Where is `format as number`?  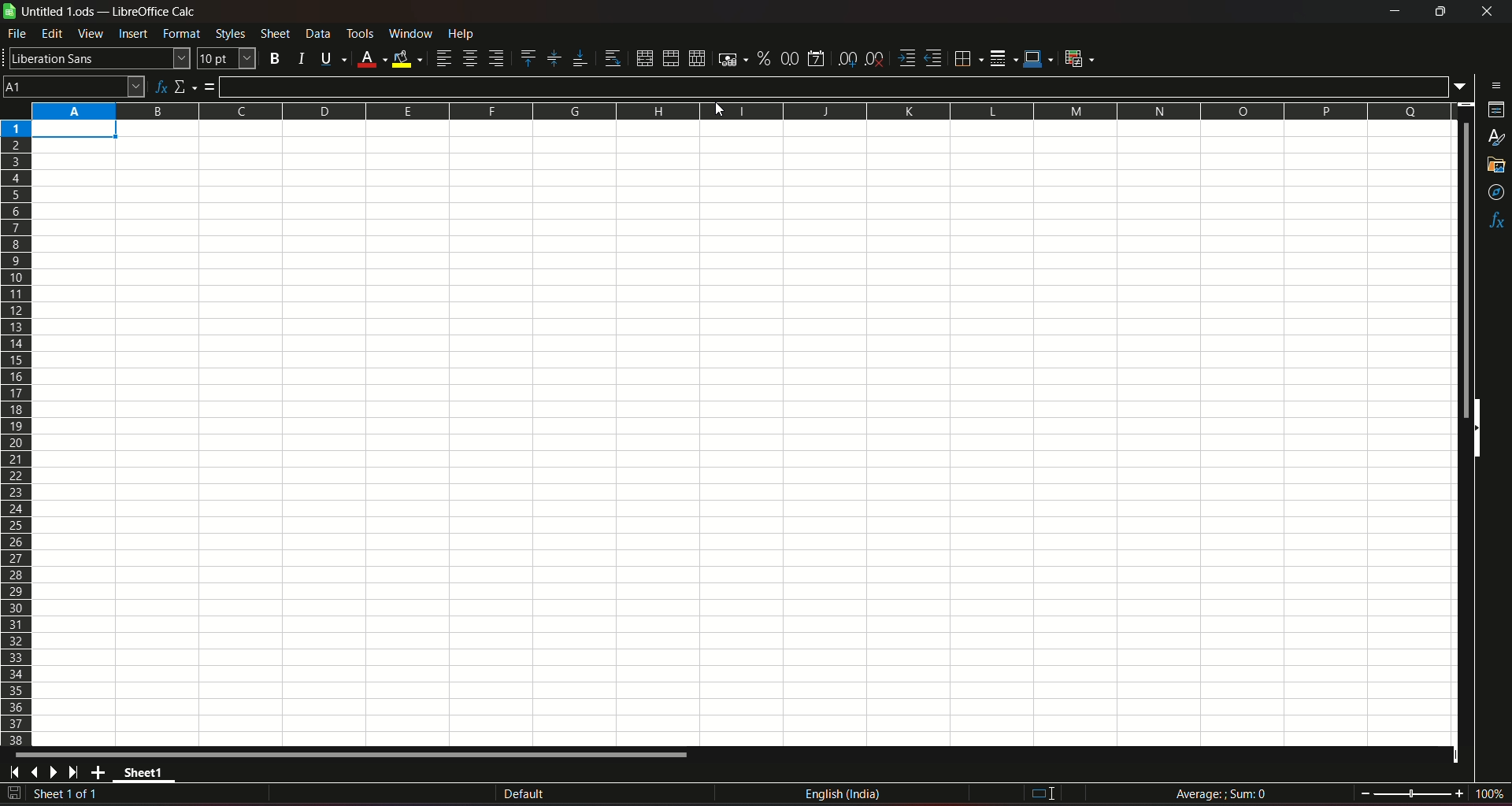 format as number is located at coordinates (790, 58).